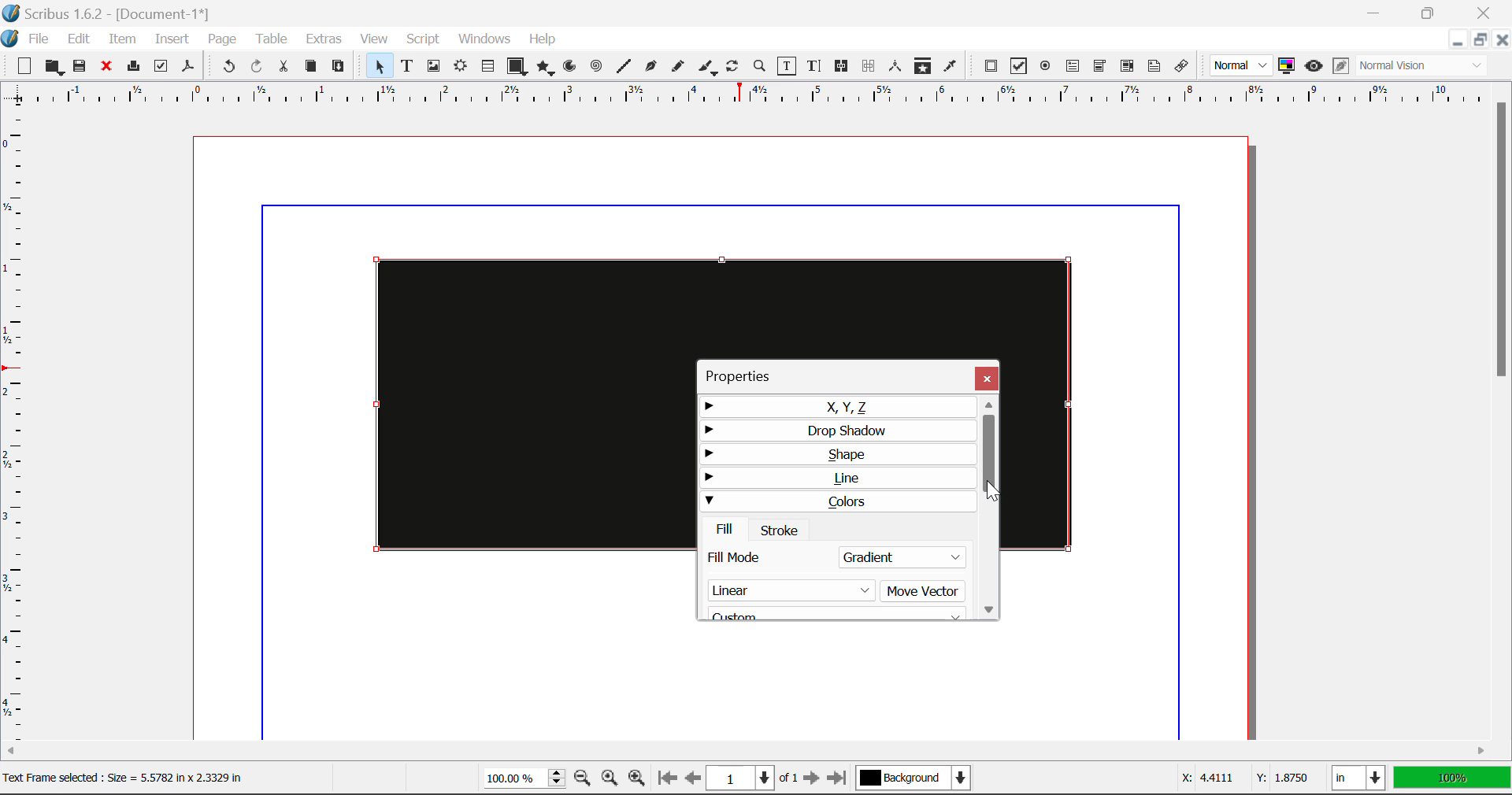 Image resolution: width=1512 pixels, height=795 pixels. I want to click on Display Measurement, so click(1452, 780).